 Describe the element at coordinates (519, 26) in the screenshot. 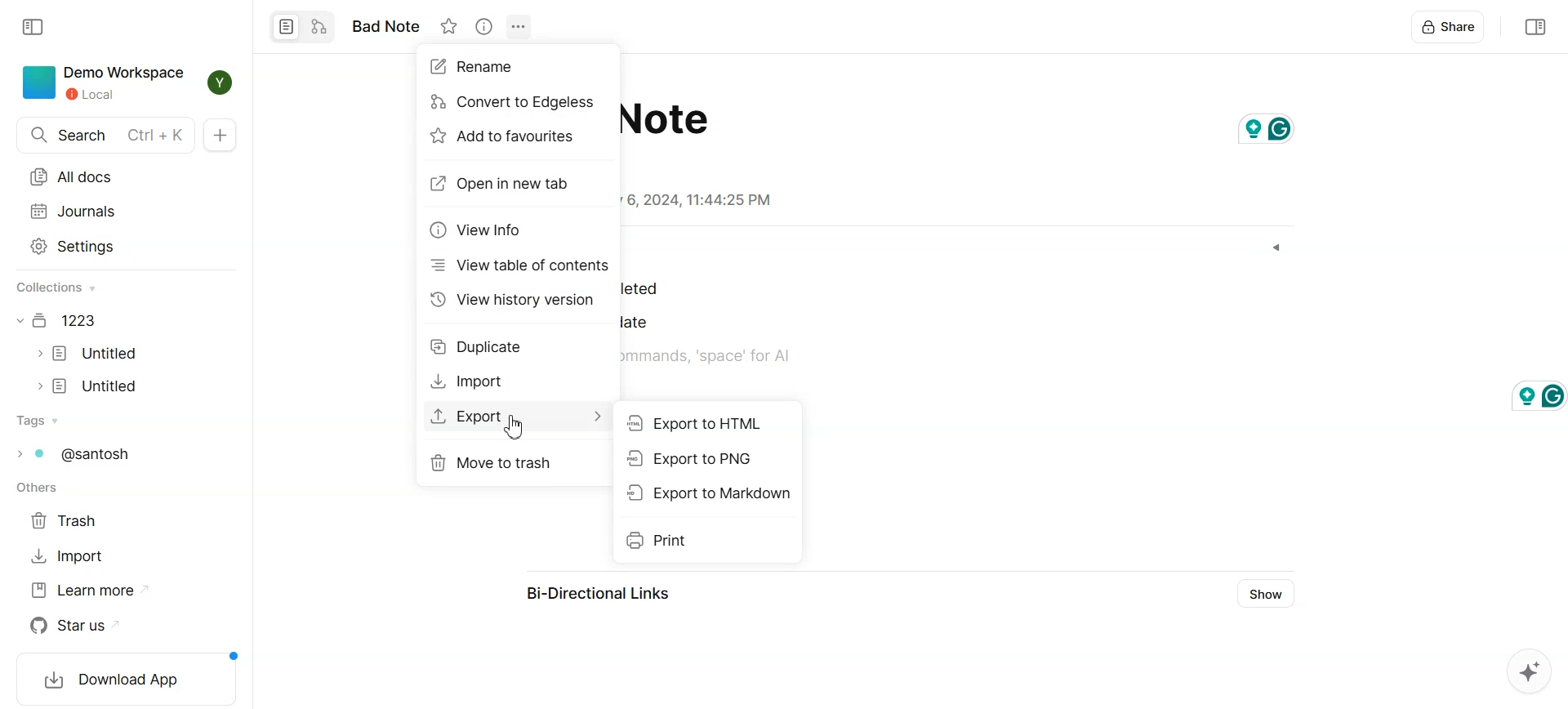

I see `Settings` at that location.